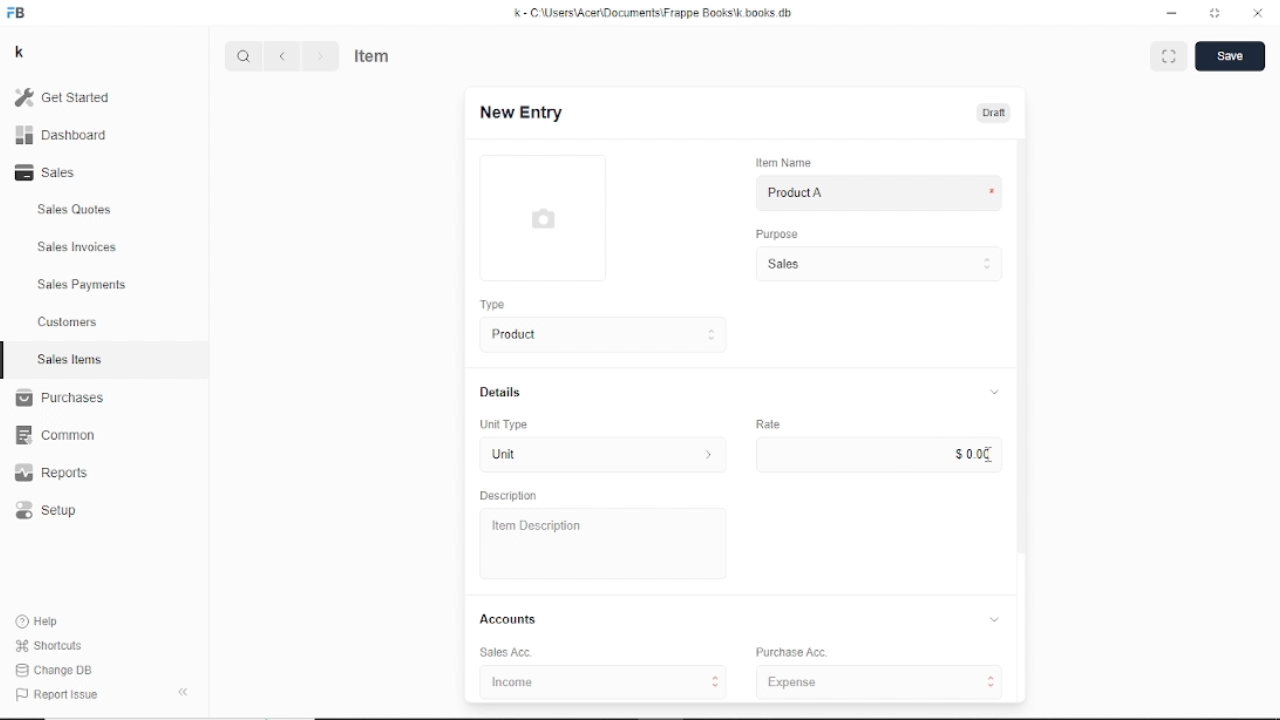 The image size is (1280, 720). Describe the element at coordinates (51, 172) in the screenshot. I see `Sales` at that location.